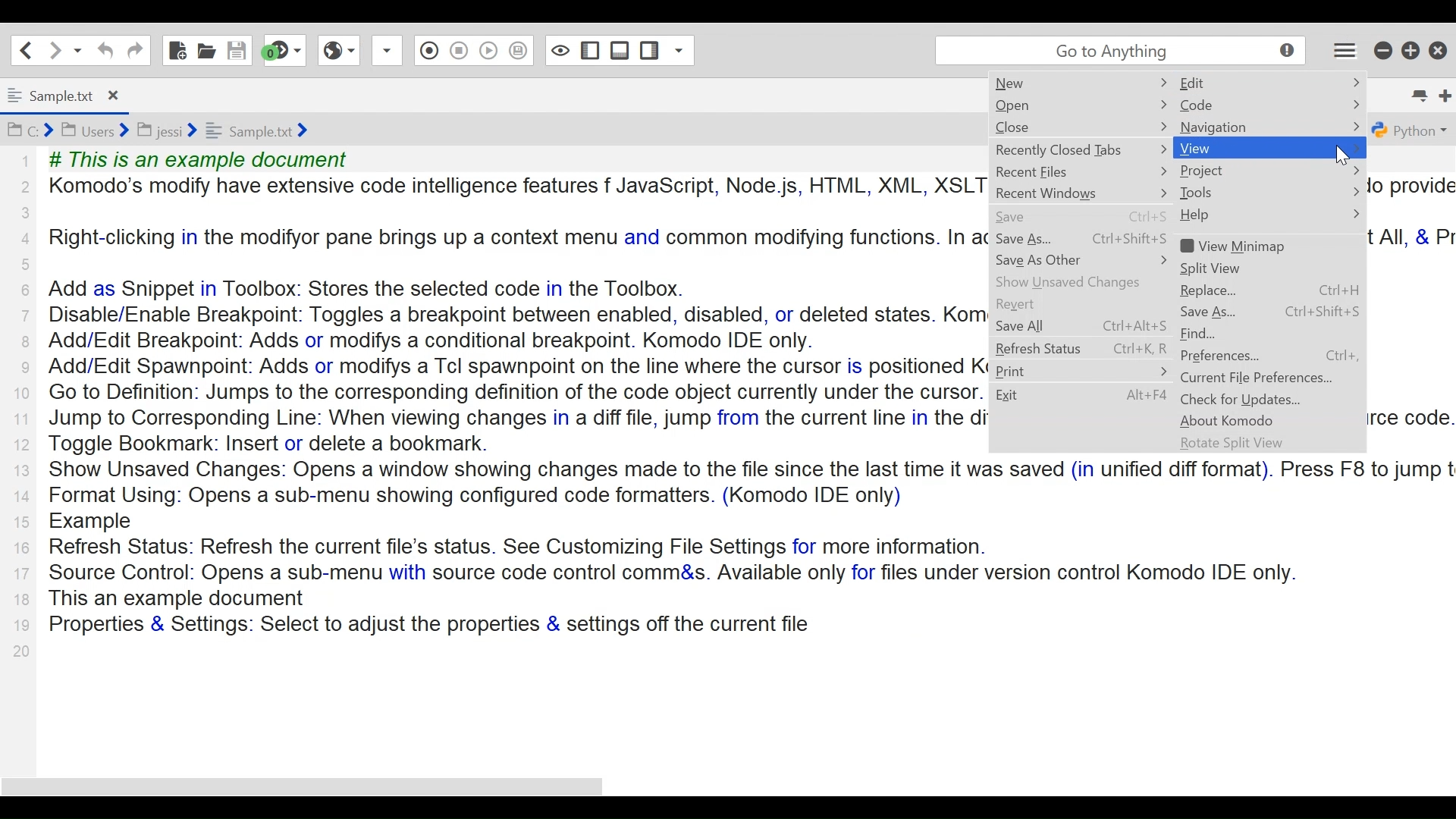  Describe the element at coordinates (184, 131) in the screenshot. I see `Bcd BI users Bjessi ¥ = Sampletxt` at that location.